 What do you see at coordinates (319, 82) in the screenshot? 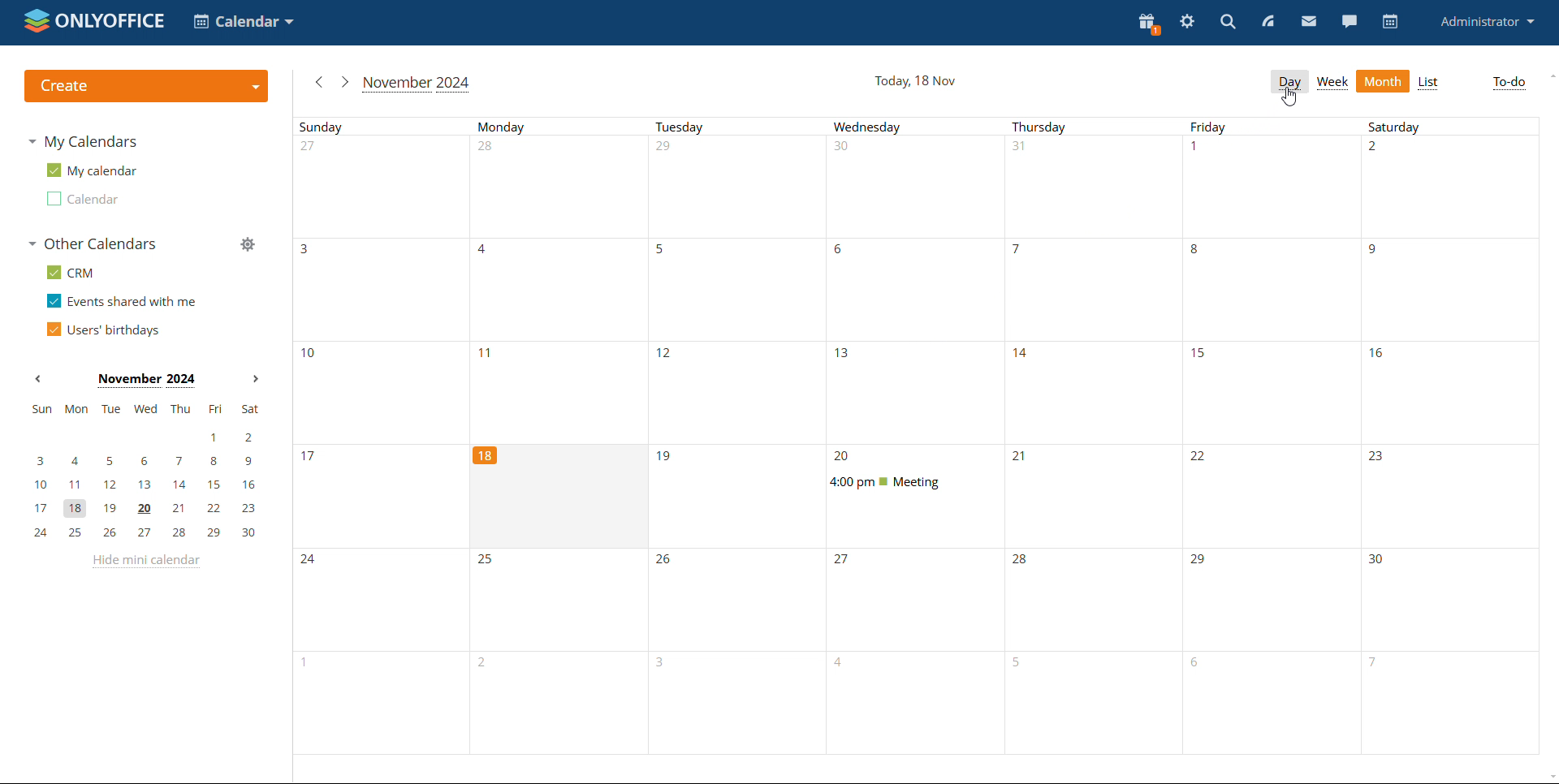
I see `previous month` at bounding box center [319, 82].